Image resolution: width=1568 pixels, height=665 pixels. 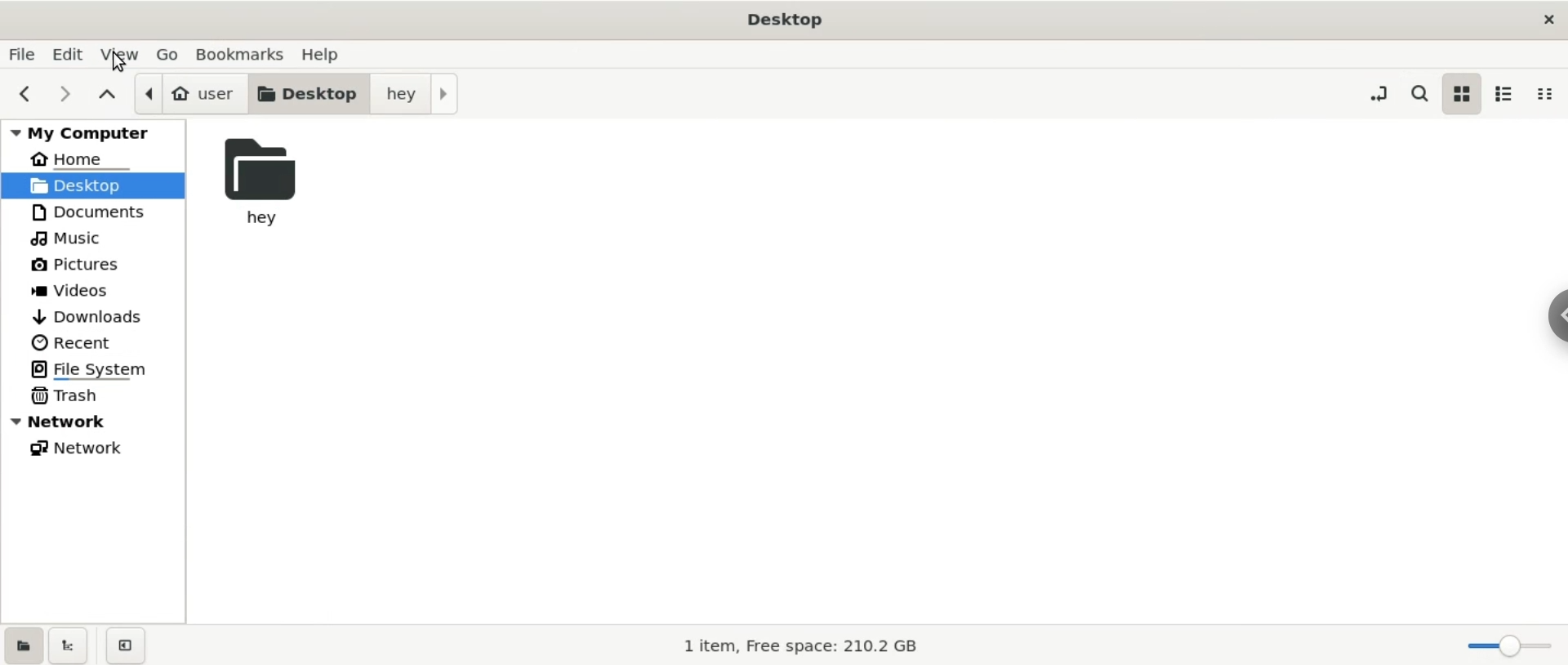 I want to click on hey, so click(x=262, y=185).